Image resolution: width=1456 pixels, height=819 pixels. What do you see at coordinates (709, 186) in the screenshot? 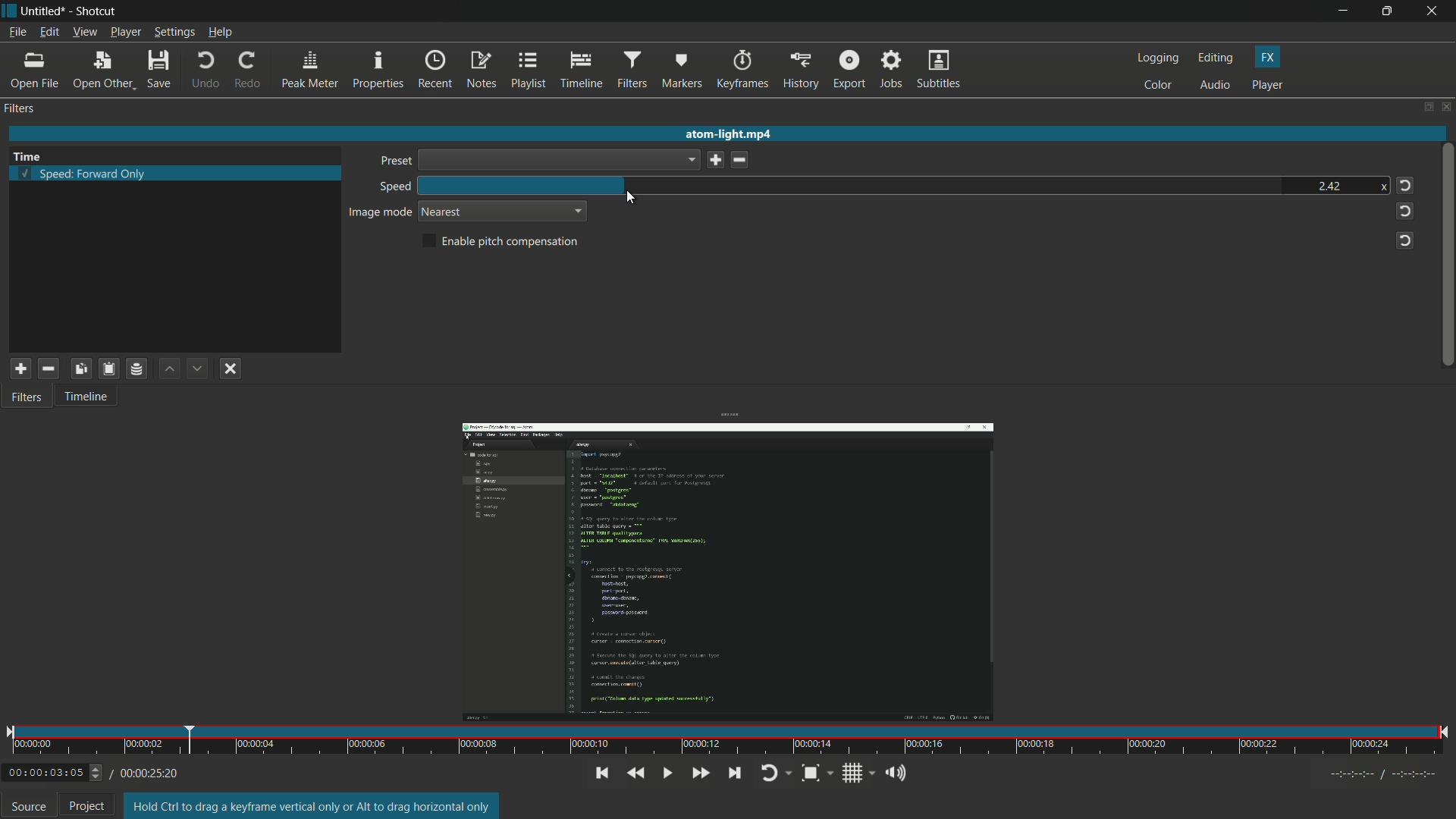
I see `speed bar` at bounding box center [709, 186].